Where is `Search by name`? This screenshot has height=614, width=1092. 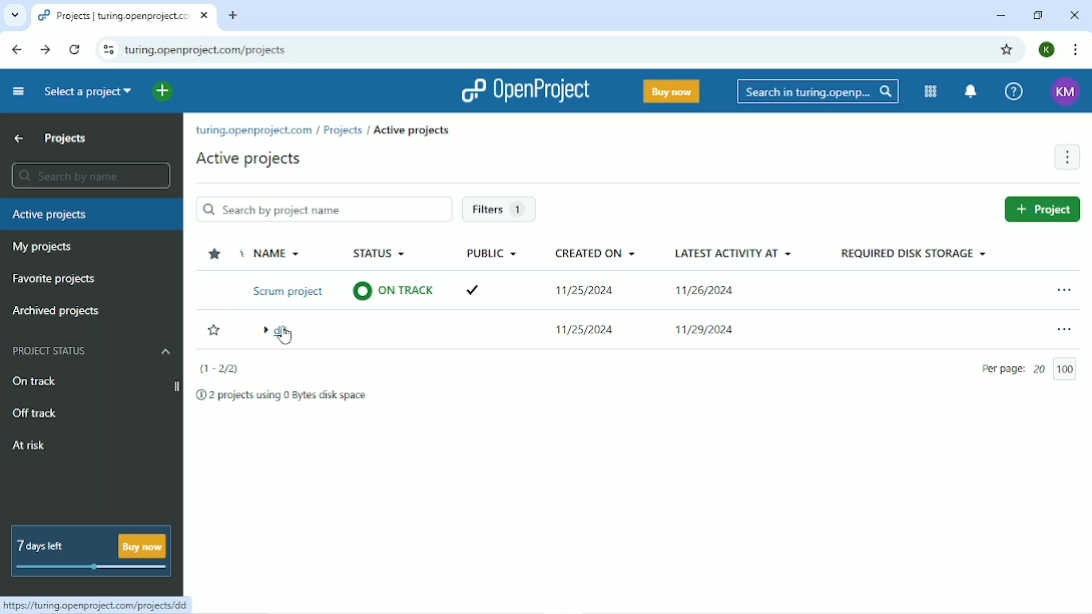 Search by name is located at coordinates (91, 175).